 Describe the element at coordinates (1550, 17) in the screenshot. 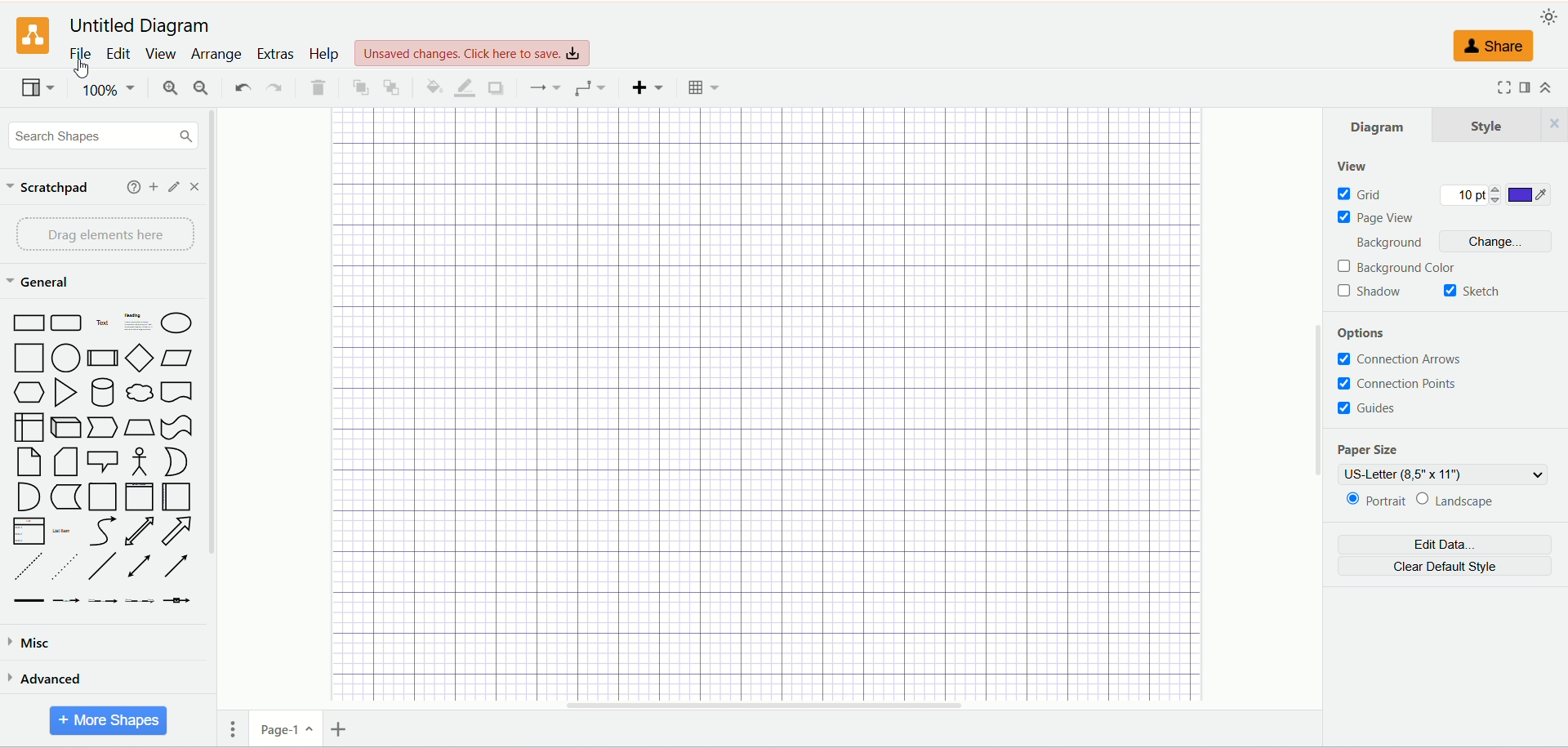

I see `appearance` at that location.